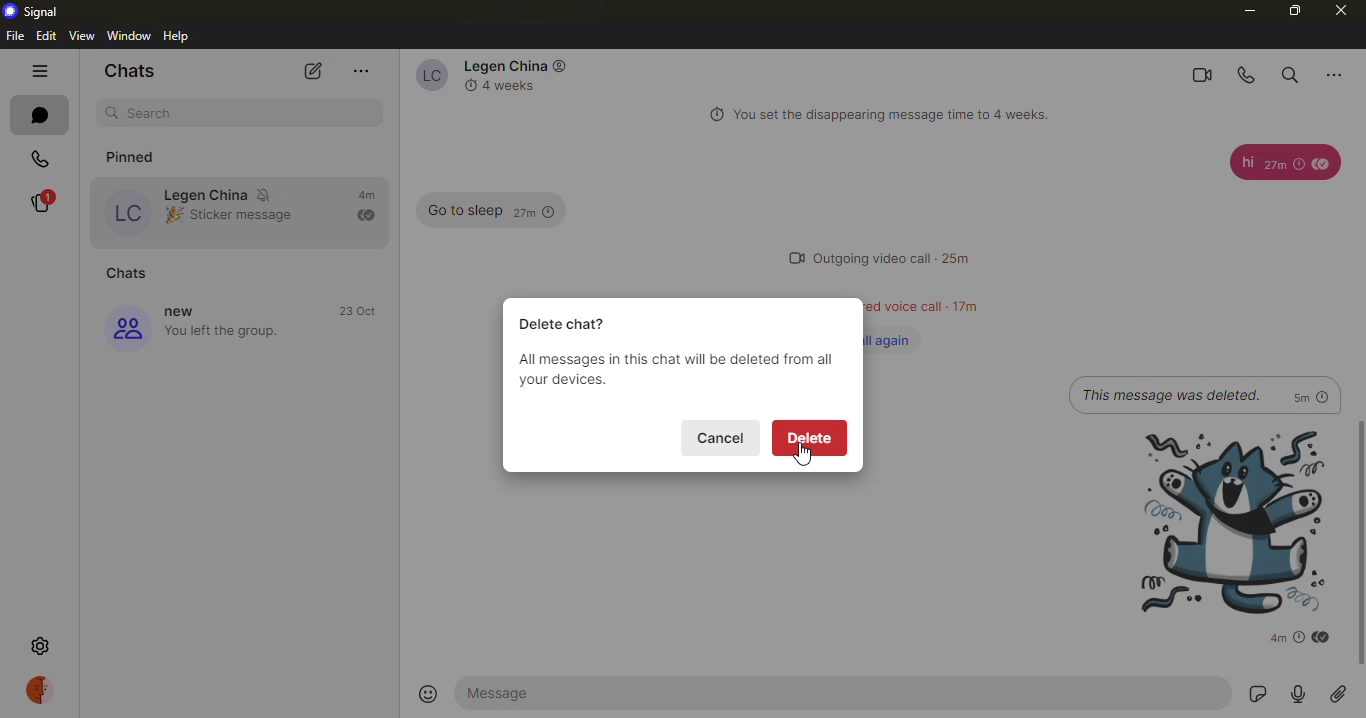 This screenshot has width=1366, height=718. I want to click on maximize, so click(1293, 10).